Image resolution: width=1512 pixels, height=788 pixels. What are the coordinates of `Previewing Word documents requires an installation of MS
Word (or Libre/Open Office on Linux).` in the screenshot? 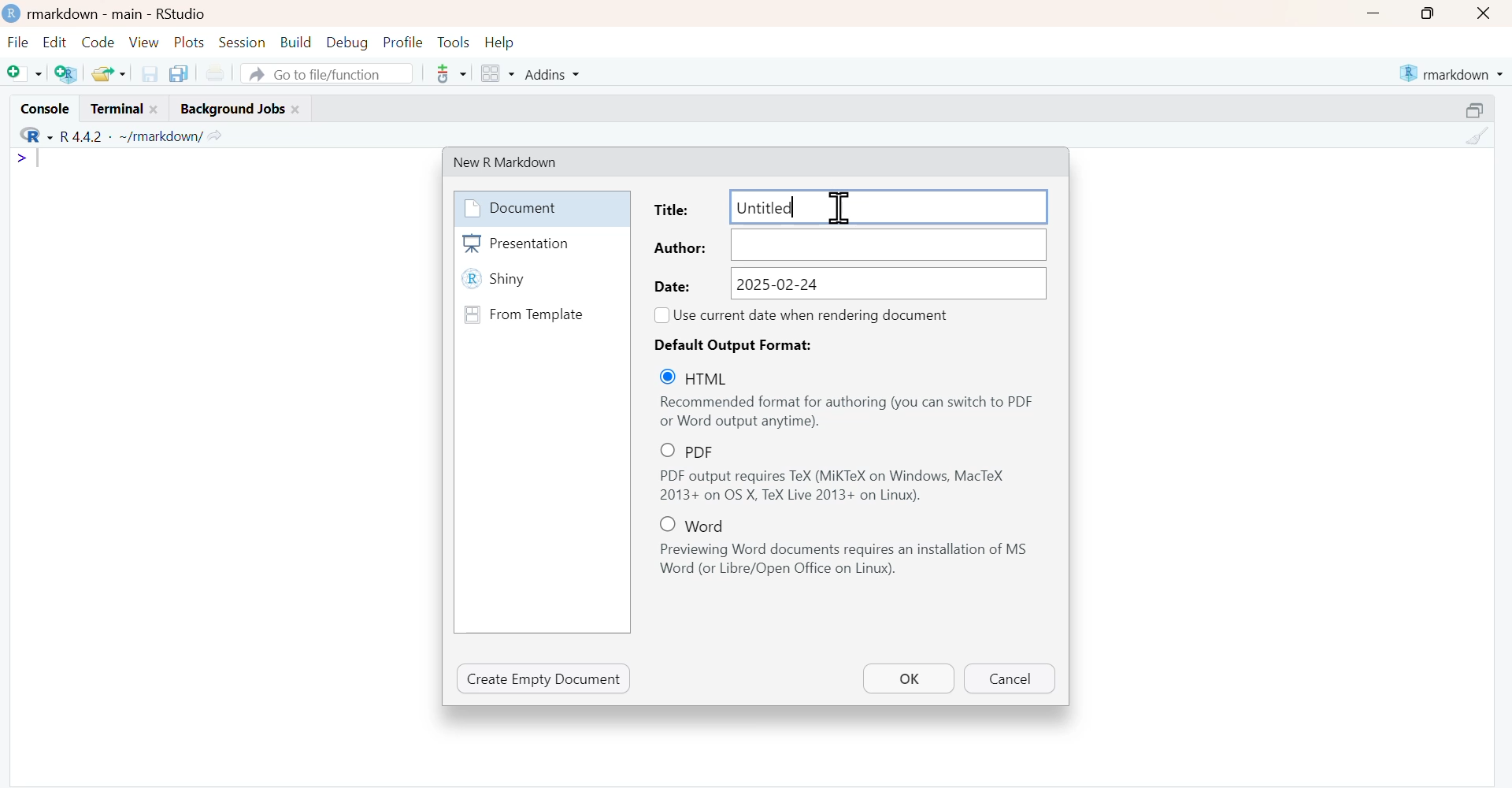 It's located at (849, 560).